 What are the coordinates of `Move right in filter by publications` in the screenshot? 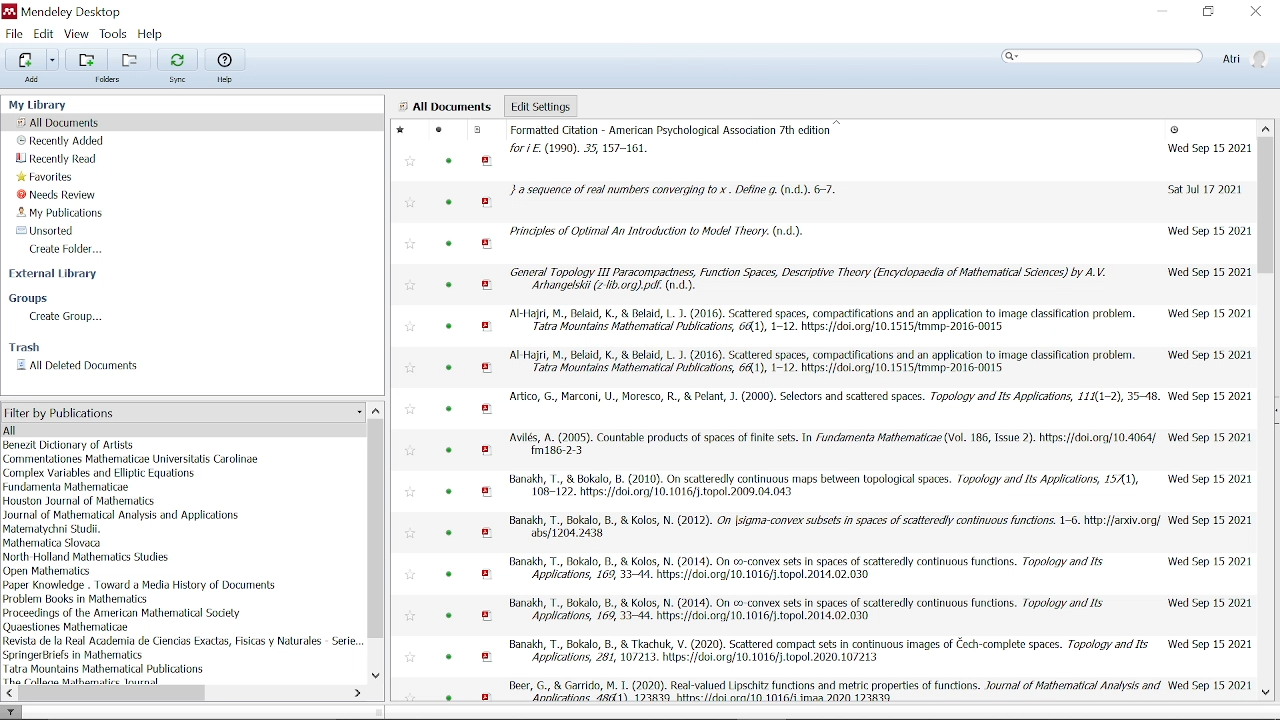 It's located at (356, 693).